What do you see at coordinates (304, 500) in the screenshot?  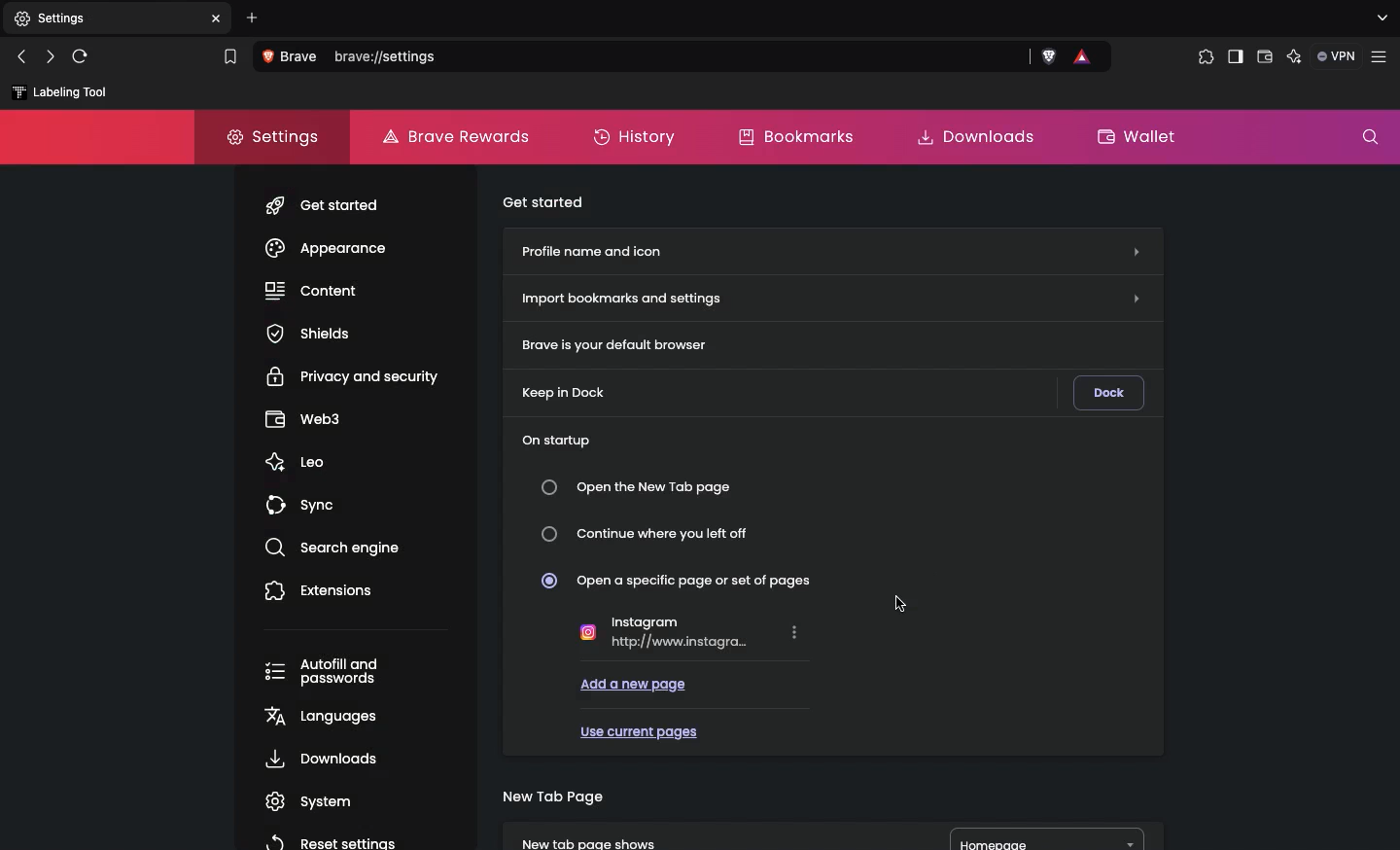 I see `Sync` at bounding box center [304, 500].